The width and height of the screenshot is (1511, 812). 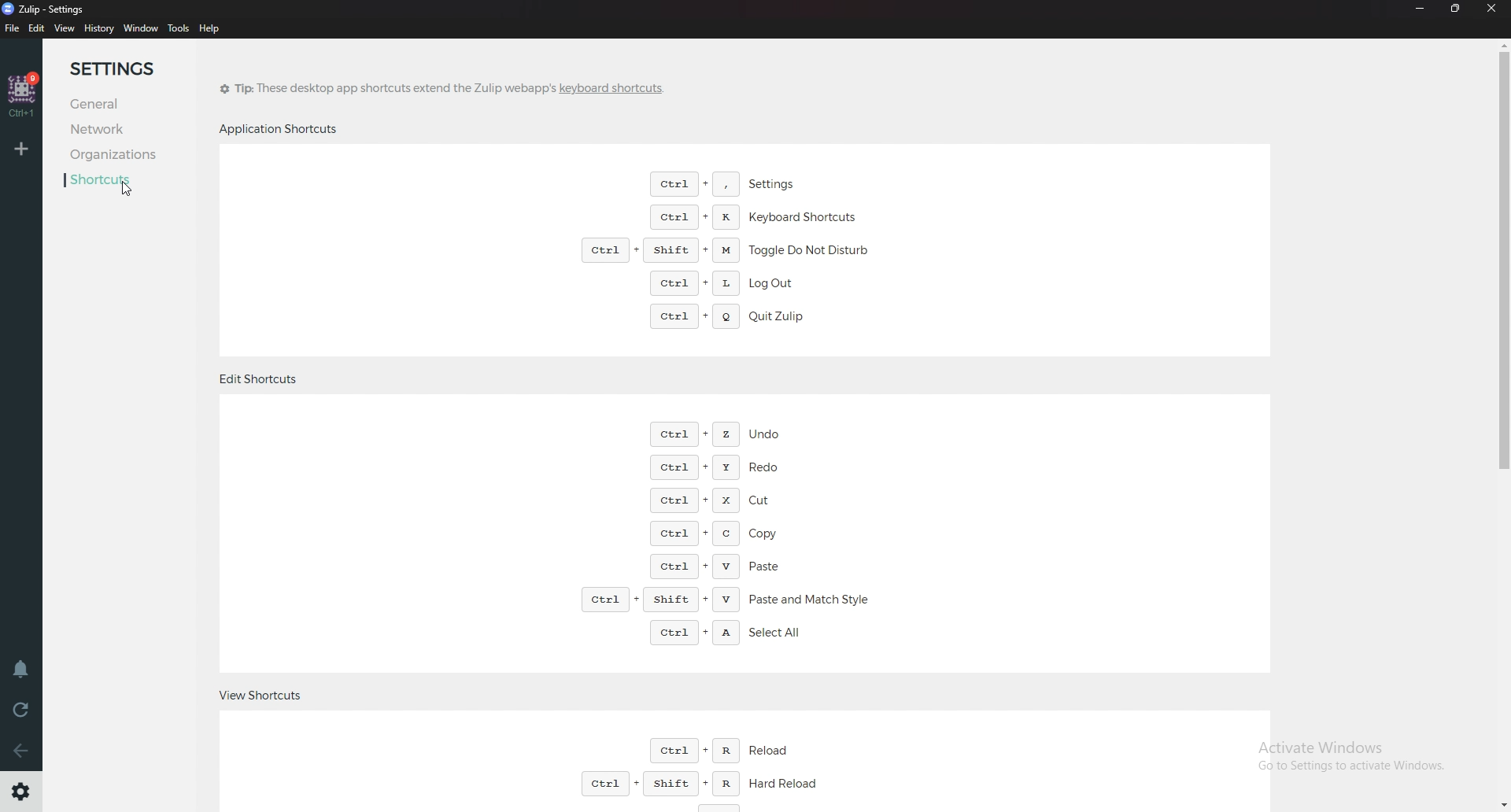 What do you see at coordinates (143, 28) in the screenshot?
I see `Window` at bounding box center [143, 28].